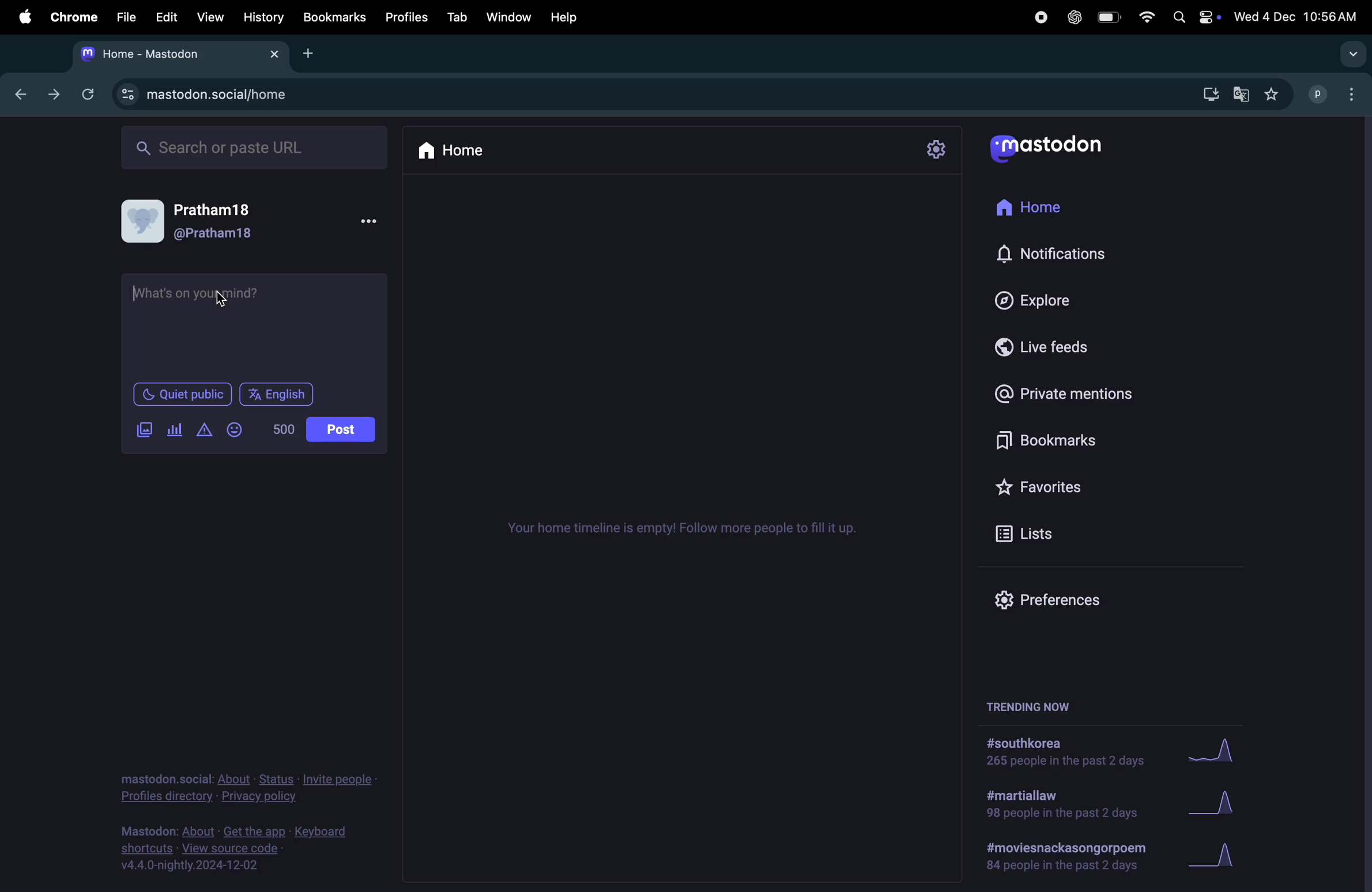  Describe the element at coordinates (124, 17) in the screenshot. I see `file` at that location.